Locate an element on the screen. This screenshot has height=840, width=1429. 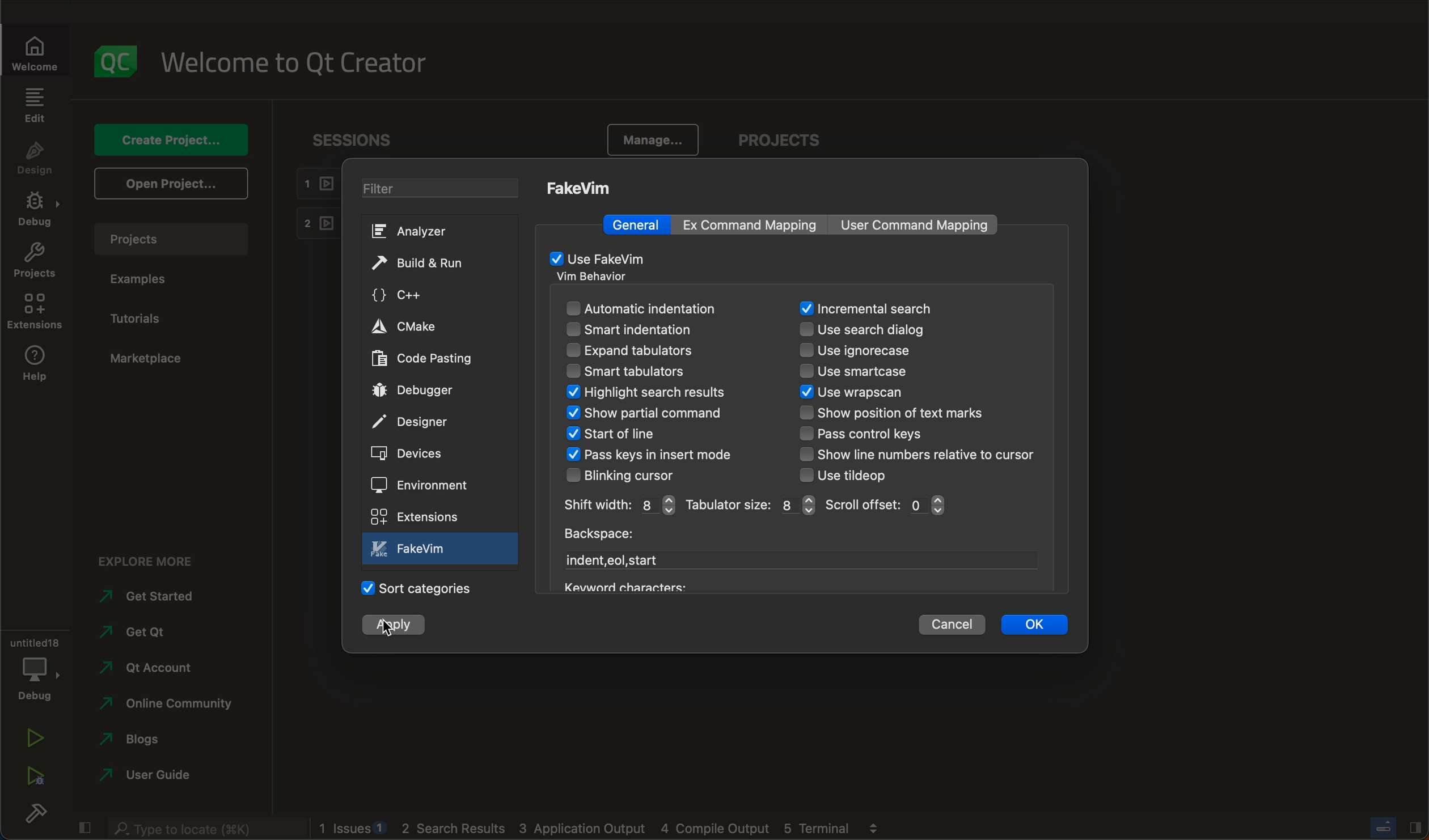
project is located at coordinates (787, 137).